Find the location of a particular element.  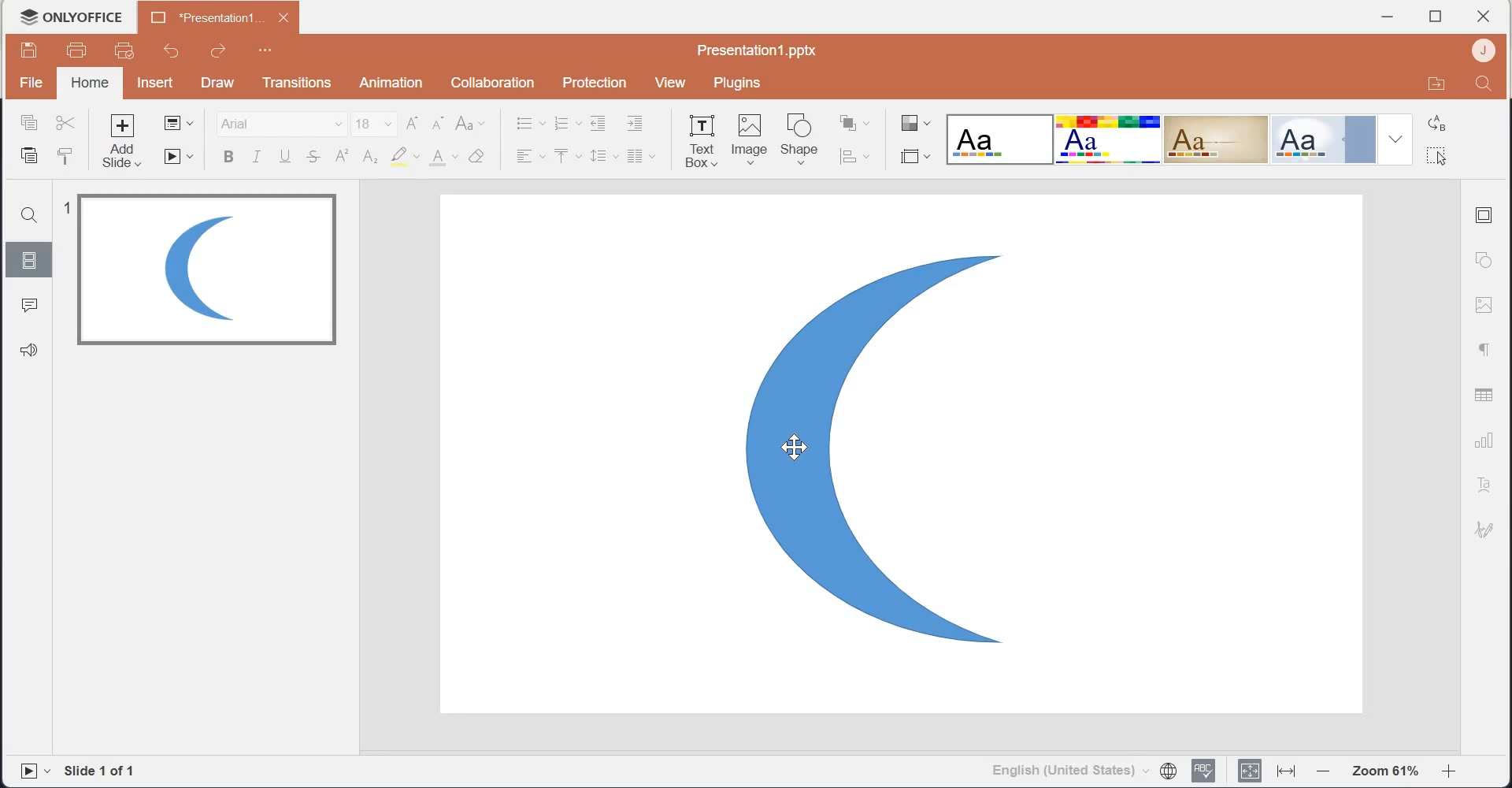

Increment font size is located at coordinates (412, 124).